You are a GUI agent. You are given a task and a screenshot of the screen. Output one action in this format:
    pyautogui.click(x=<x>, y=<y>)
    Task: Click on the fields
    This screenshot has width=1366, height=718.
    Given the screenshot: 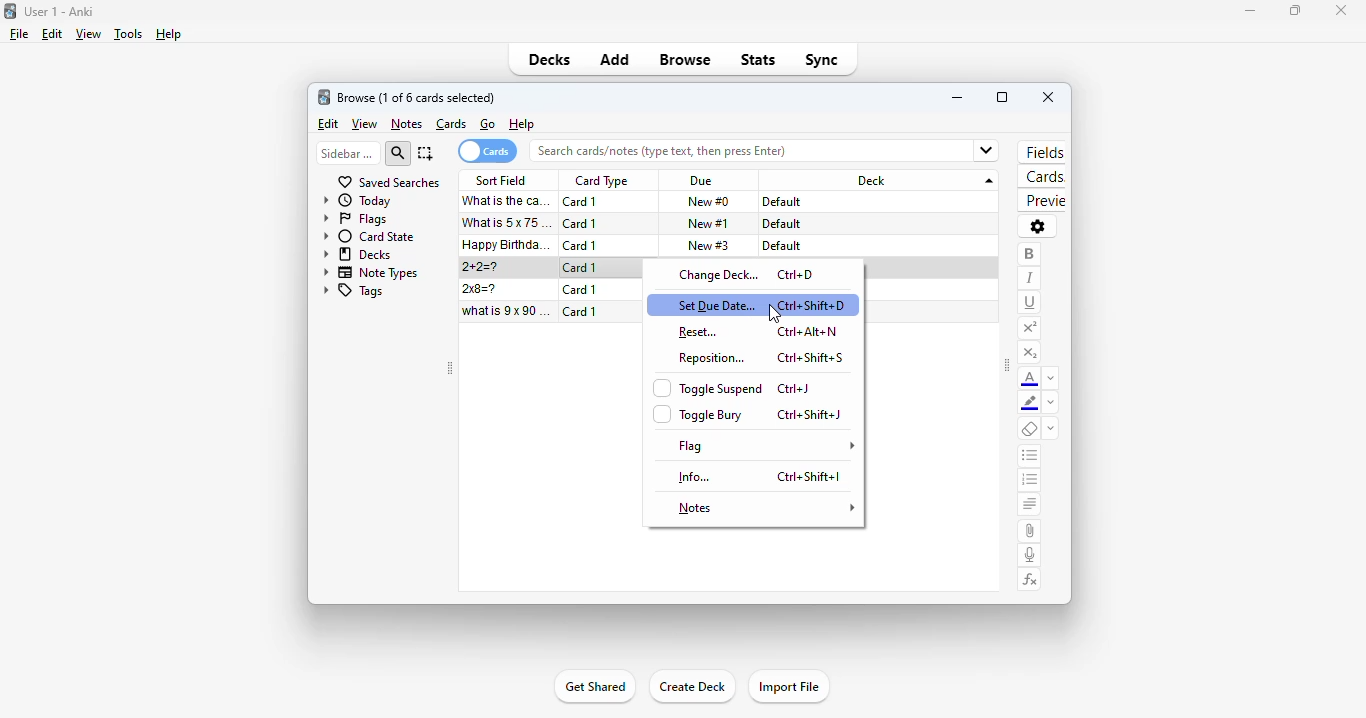 What is the action you would take?
    pyautogui.click(x=1045, y=152)
    